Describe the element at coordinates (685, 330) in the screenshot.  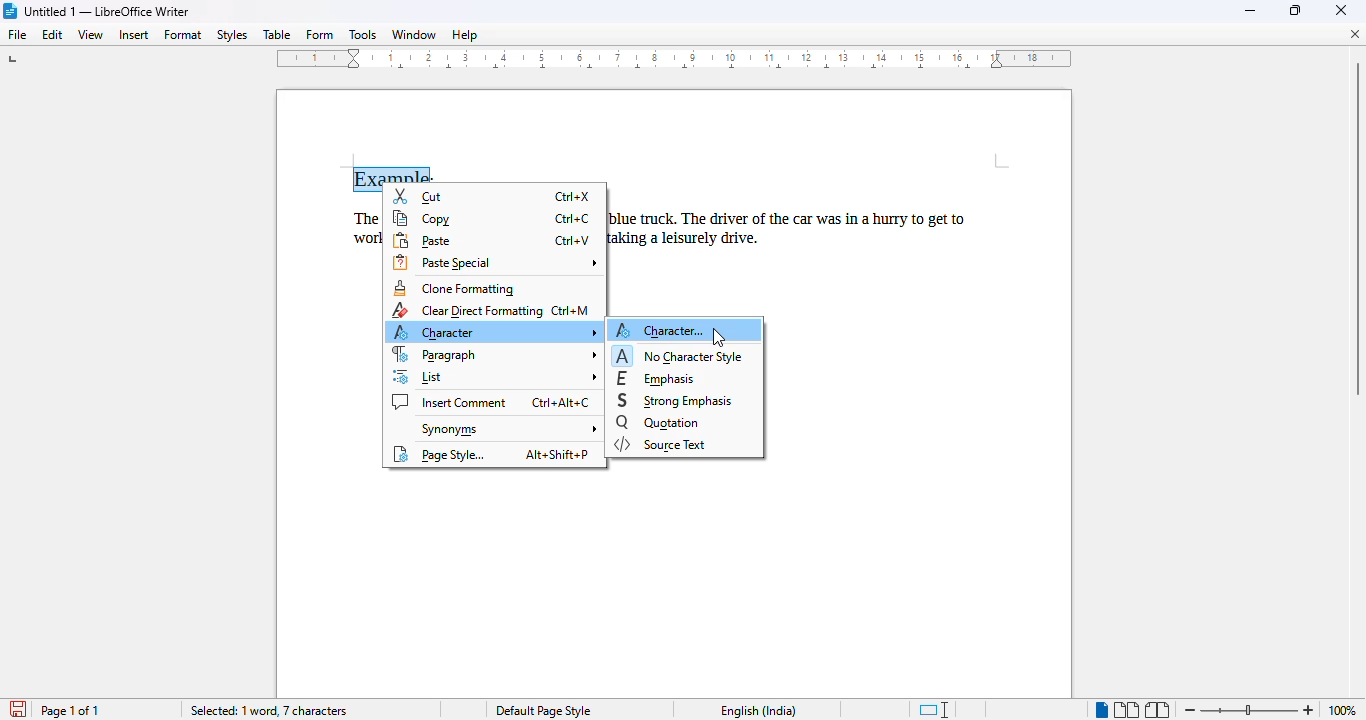
I see `character` at that location.